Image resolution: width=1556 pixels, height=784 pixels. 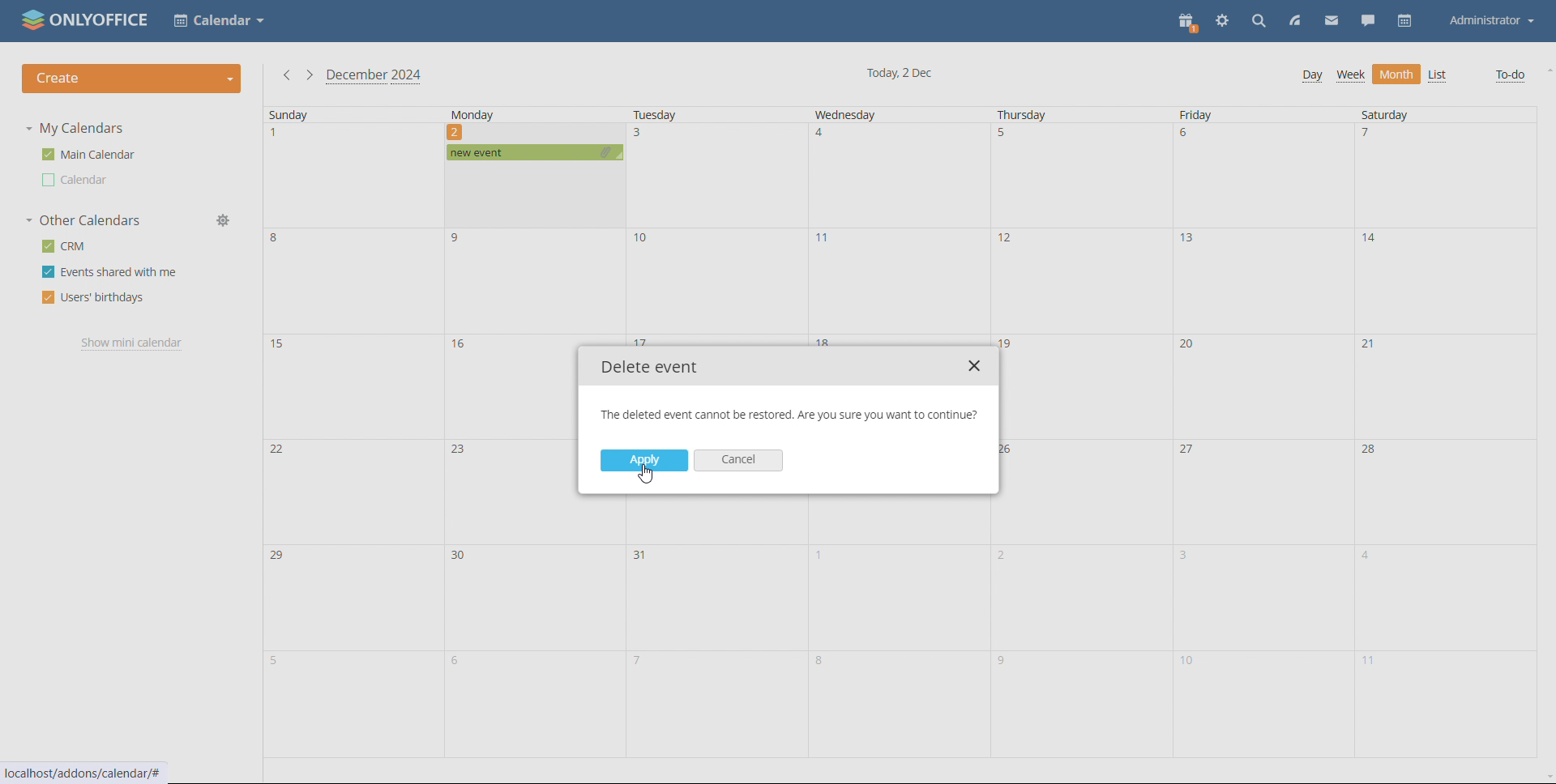 I want to click on Apply, so click(x=642, y=458).